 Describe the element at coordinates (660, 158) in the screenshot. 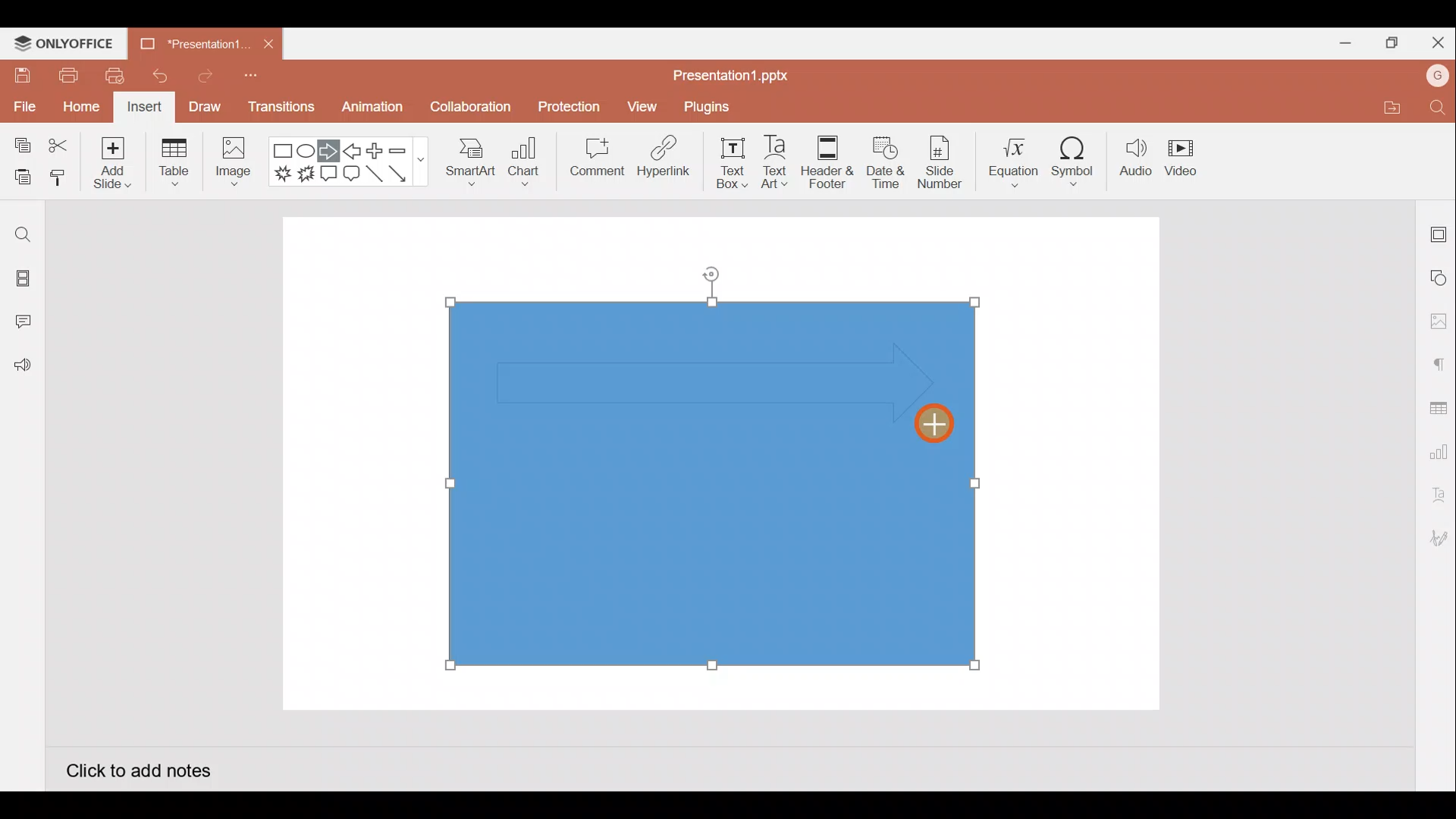

I see `Hyperlink` at that location.